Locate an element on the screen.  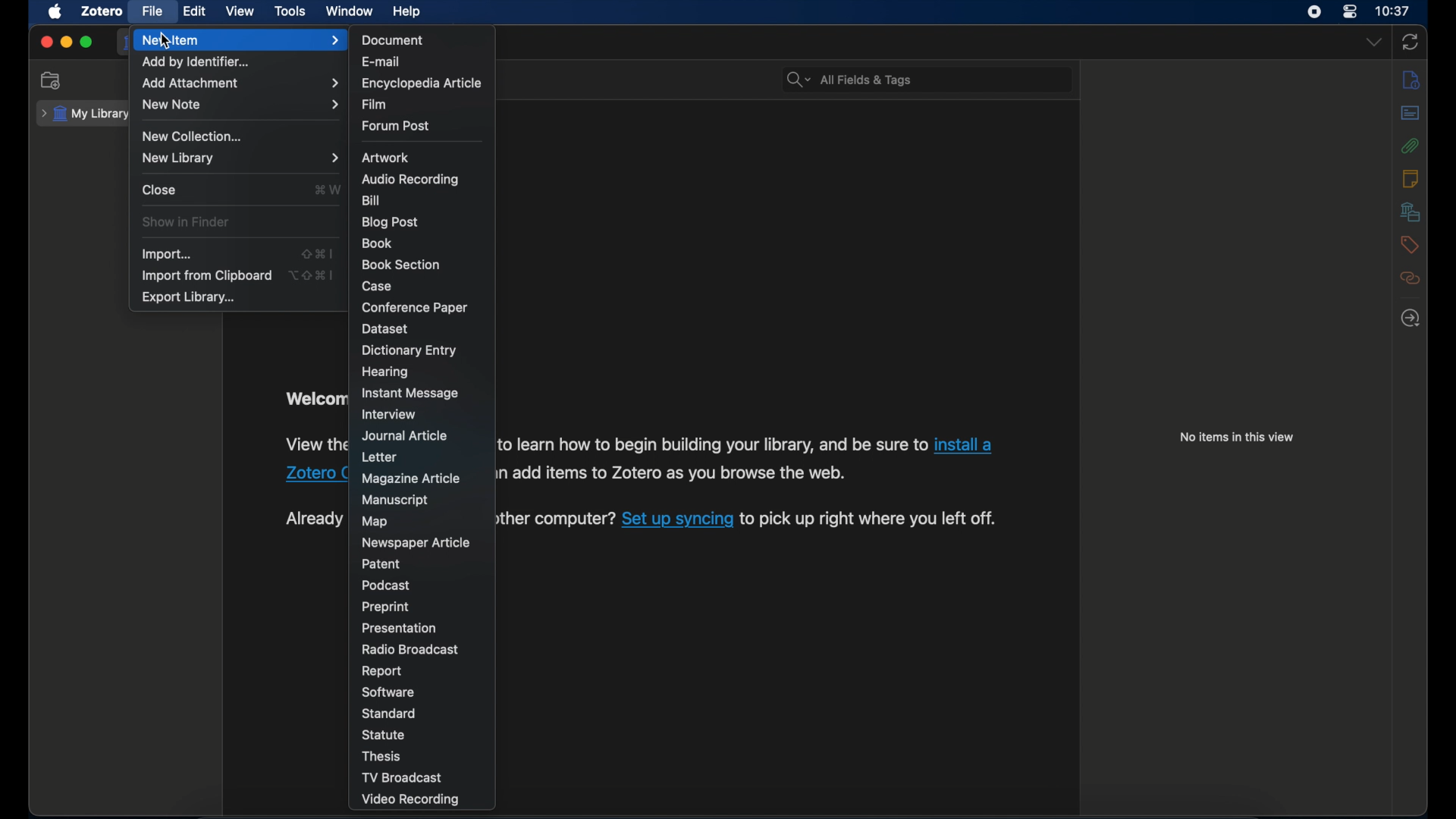
sync is located at coordinates (1410, 42).